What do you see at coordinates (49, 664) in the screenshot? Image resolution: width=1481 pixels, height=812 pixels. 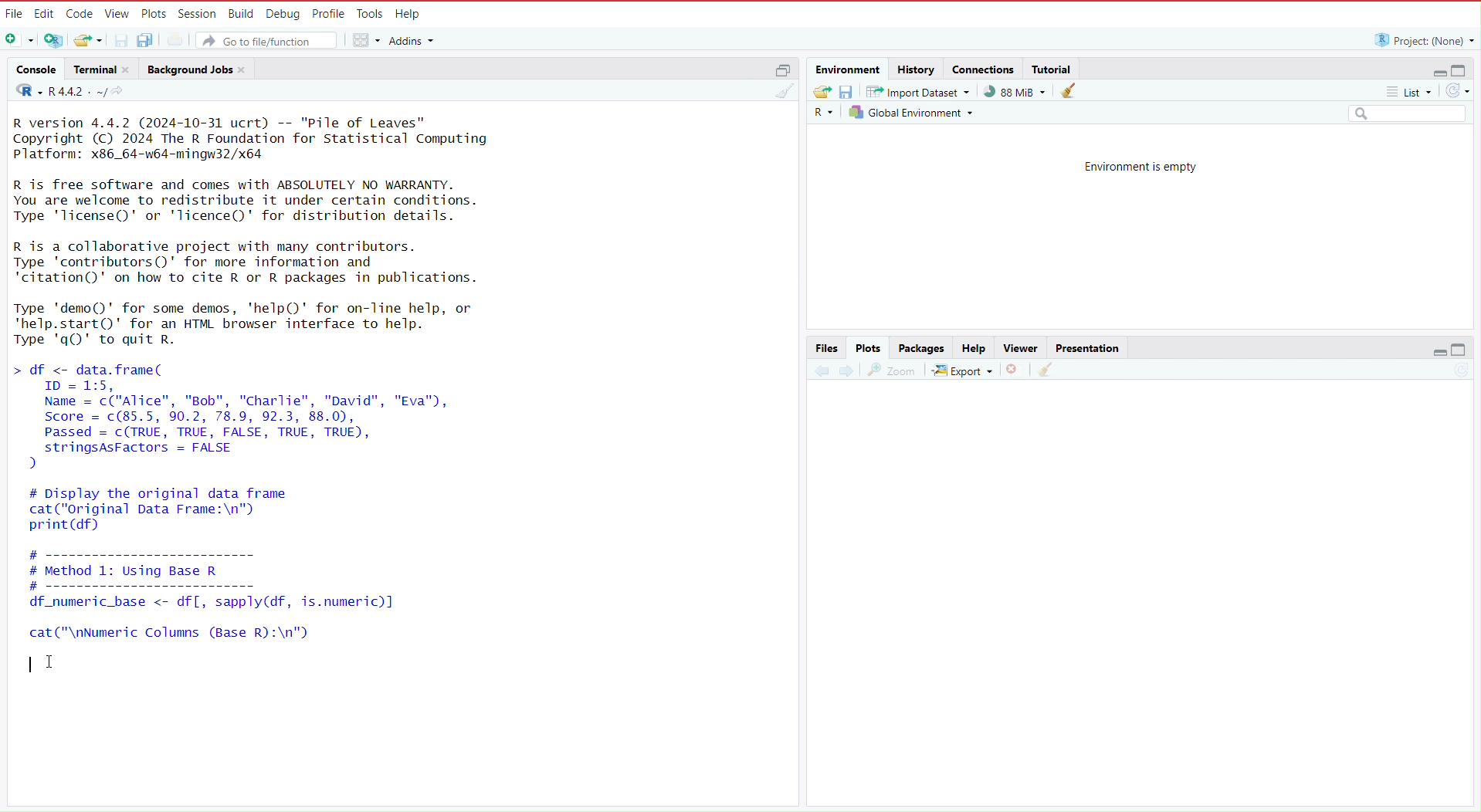 I see `cursor` at bounding box center [49, 664].